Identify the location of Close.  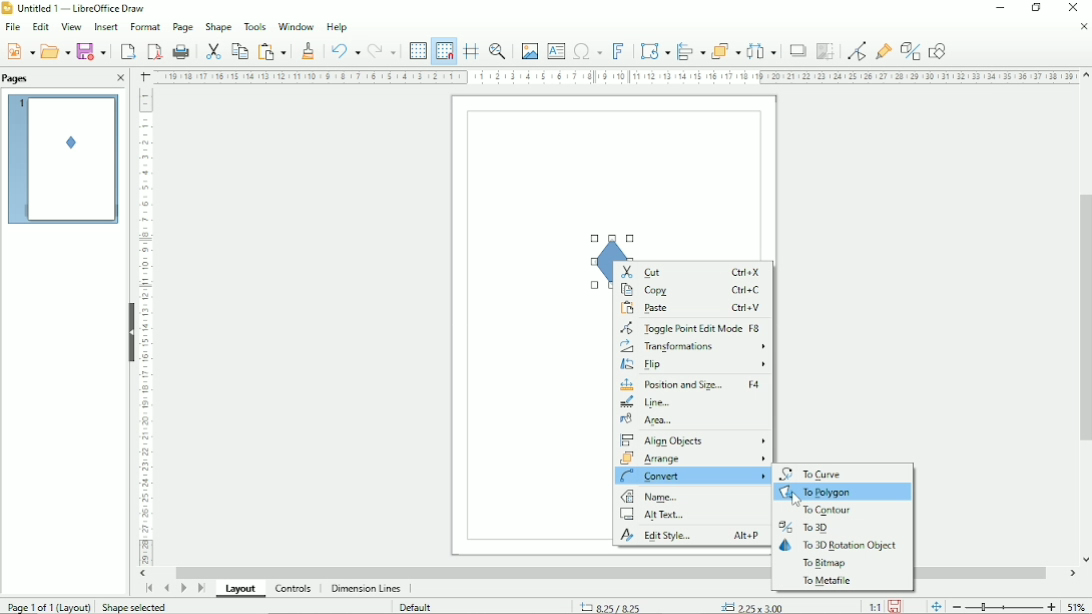
(122, 79).